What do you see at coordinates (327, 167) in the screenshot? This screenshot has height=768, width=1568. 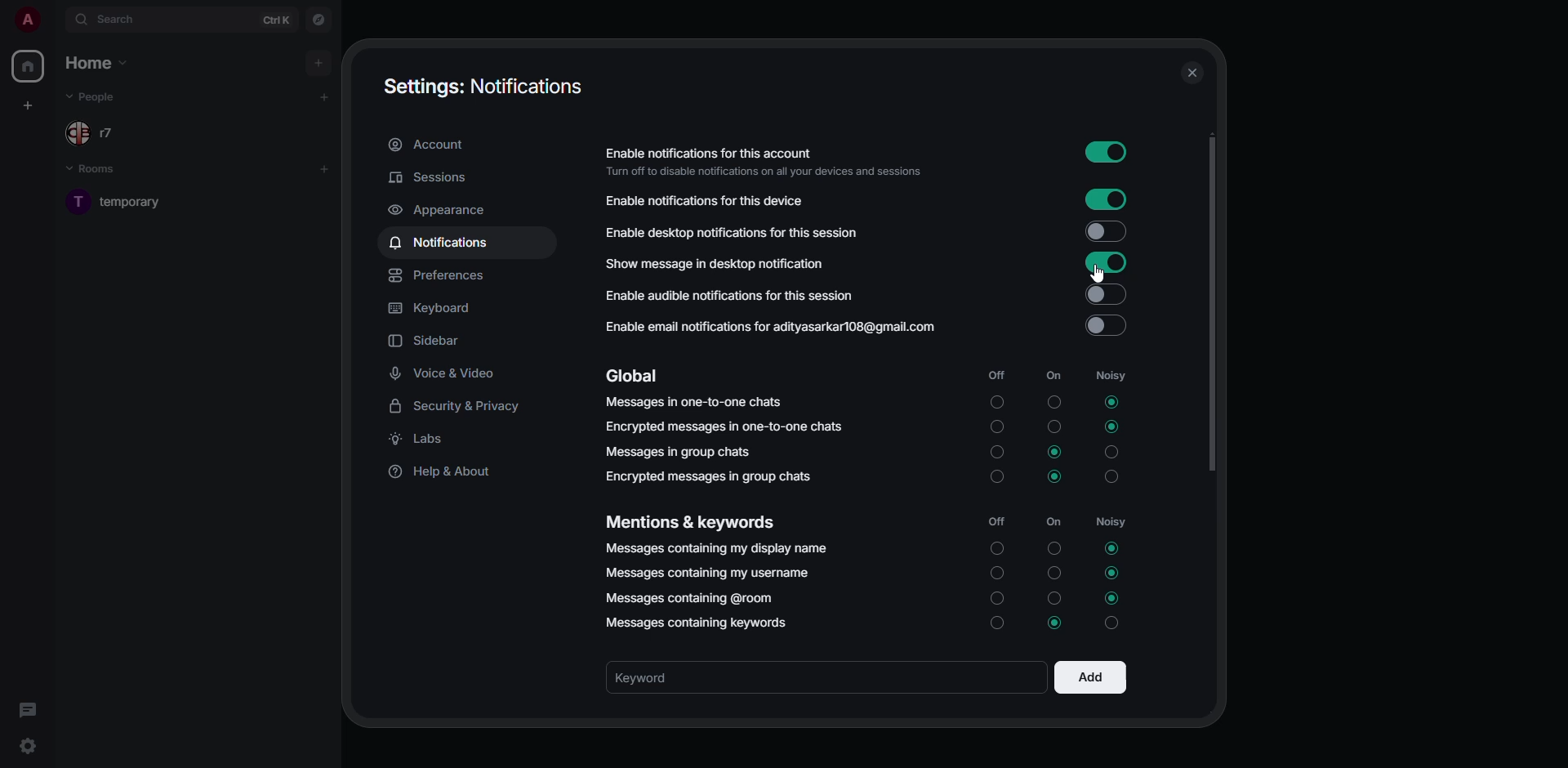 I see `add` at bounding box center [327, 167].